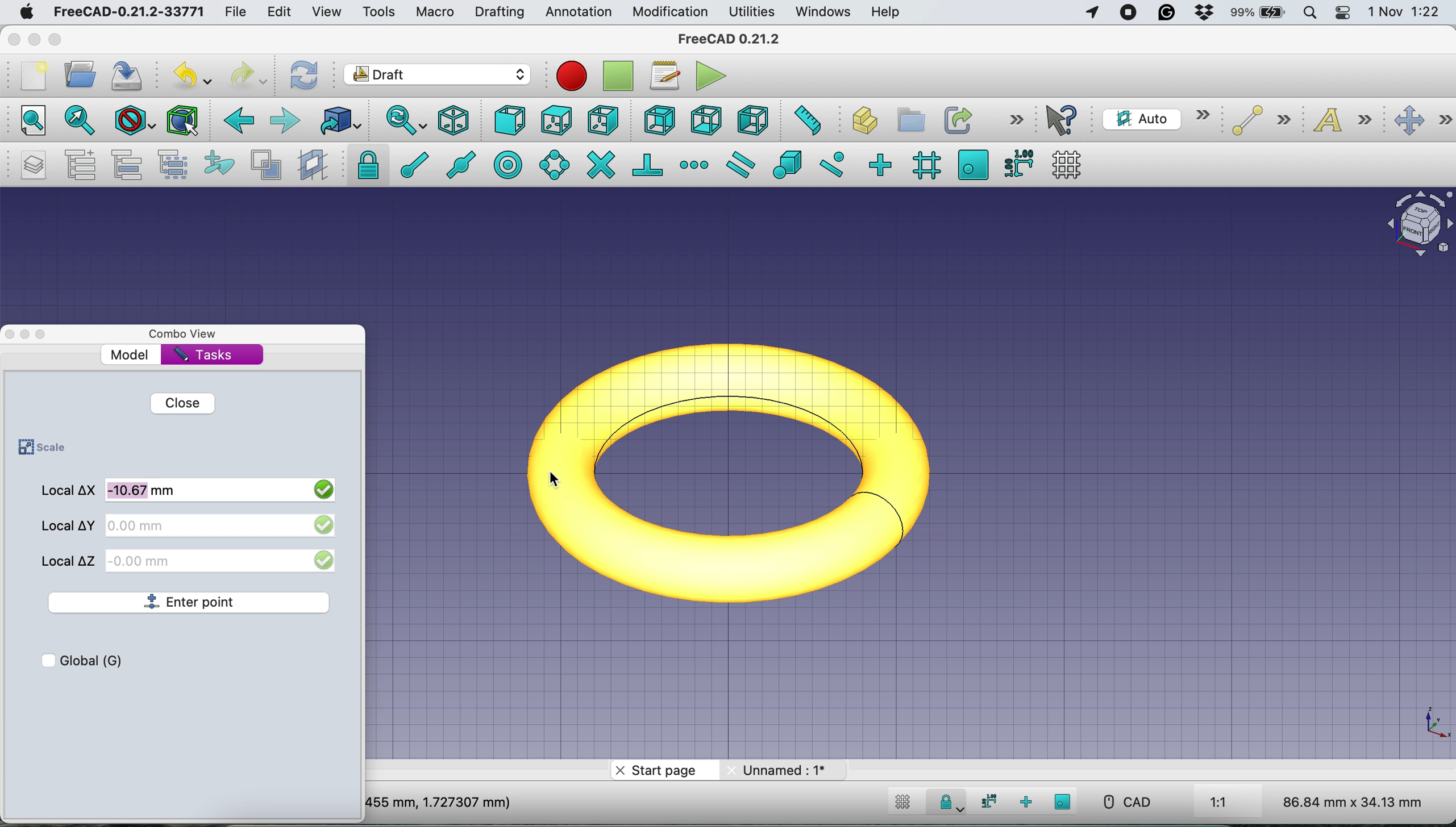  I want to click on add a new named group, so click(80, 164).